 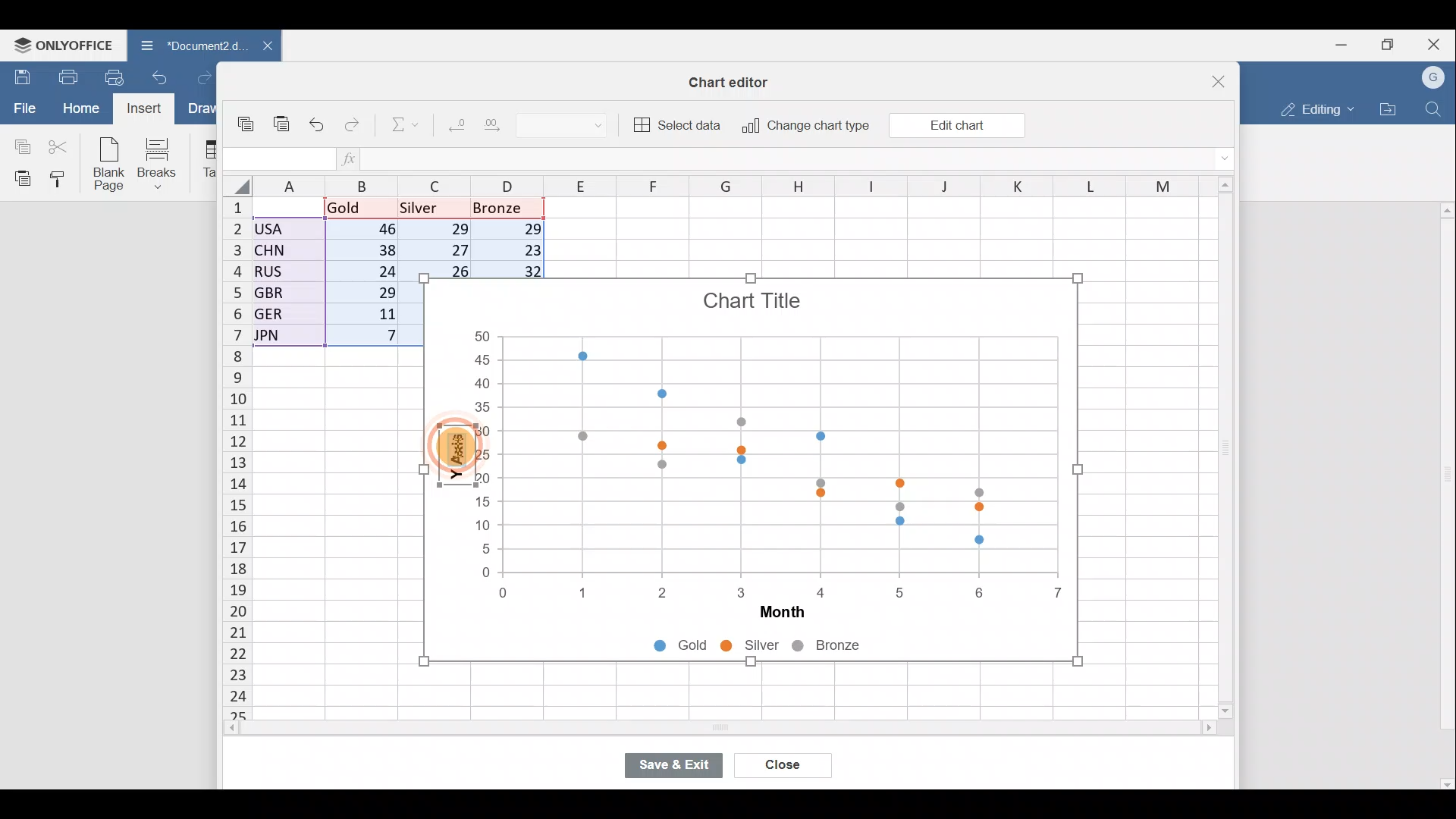 What do you see at coordinates (62, 146) in the screenshot?
I see `Cut` at bounding box center [62, 146].